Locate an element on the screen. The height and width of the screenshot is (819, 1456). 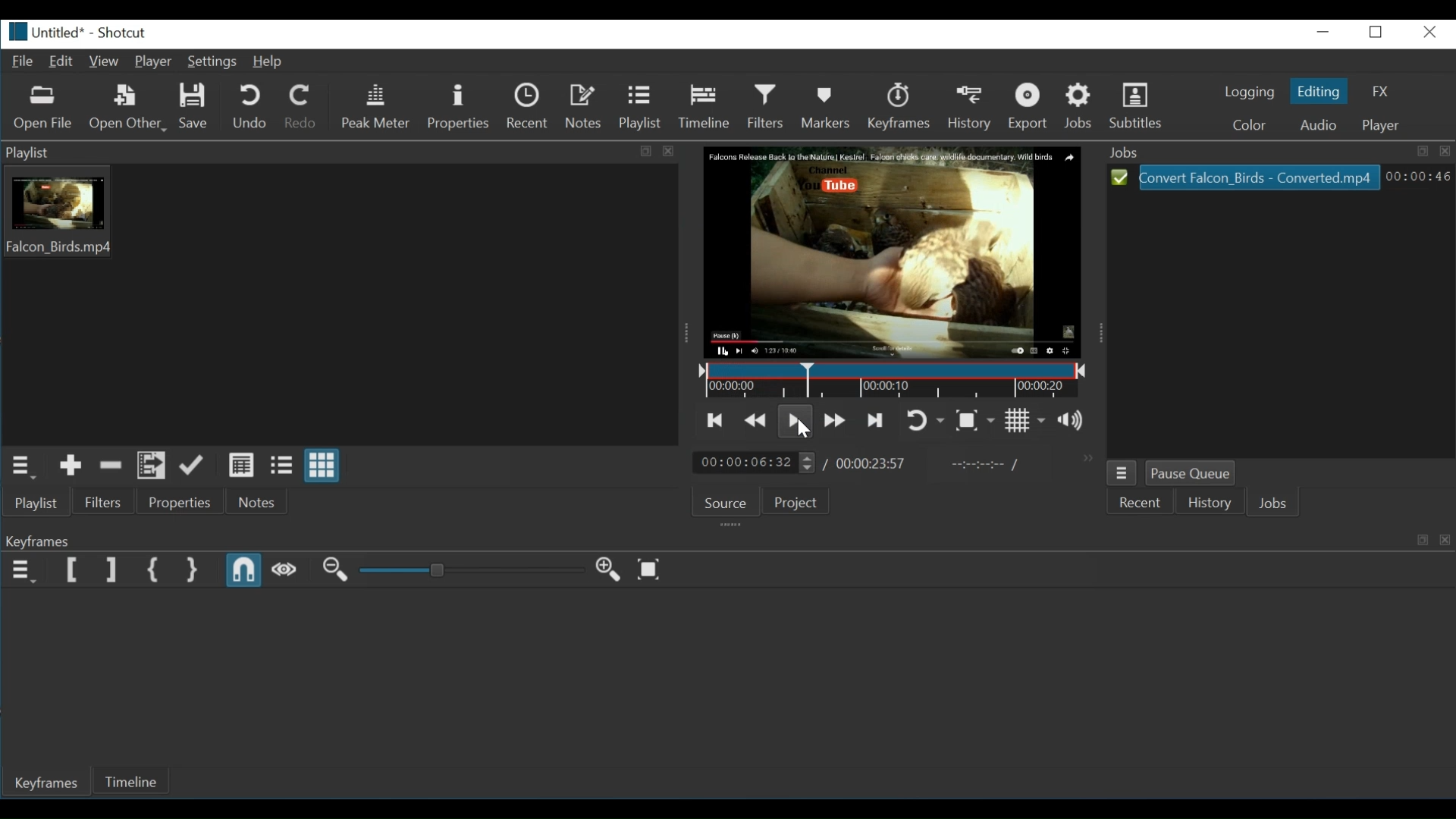
Add files to the playlist is located at coordinates (148, 466).